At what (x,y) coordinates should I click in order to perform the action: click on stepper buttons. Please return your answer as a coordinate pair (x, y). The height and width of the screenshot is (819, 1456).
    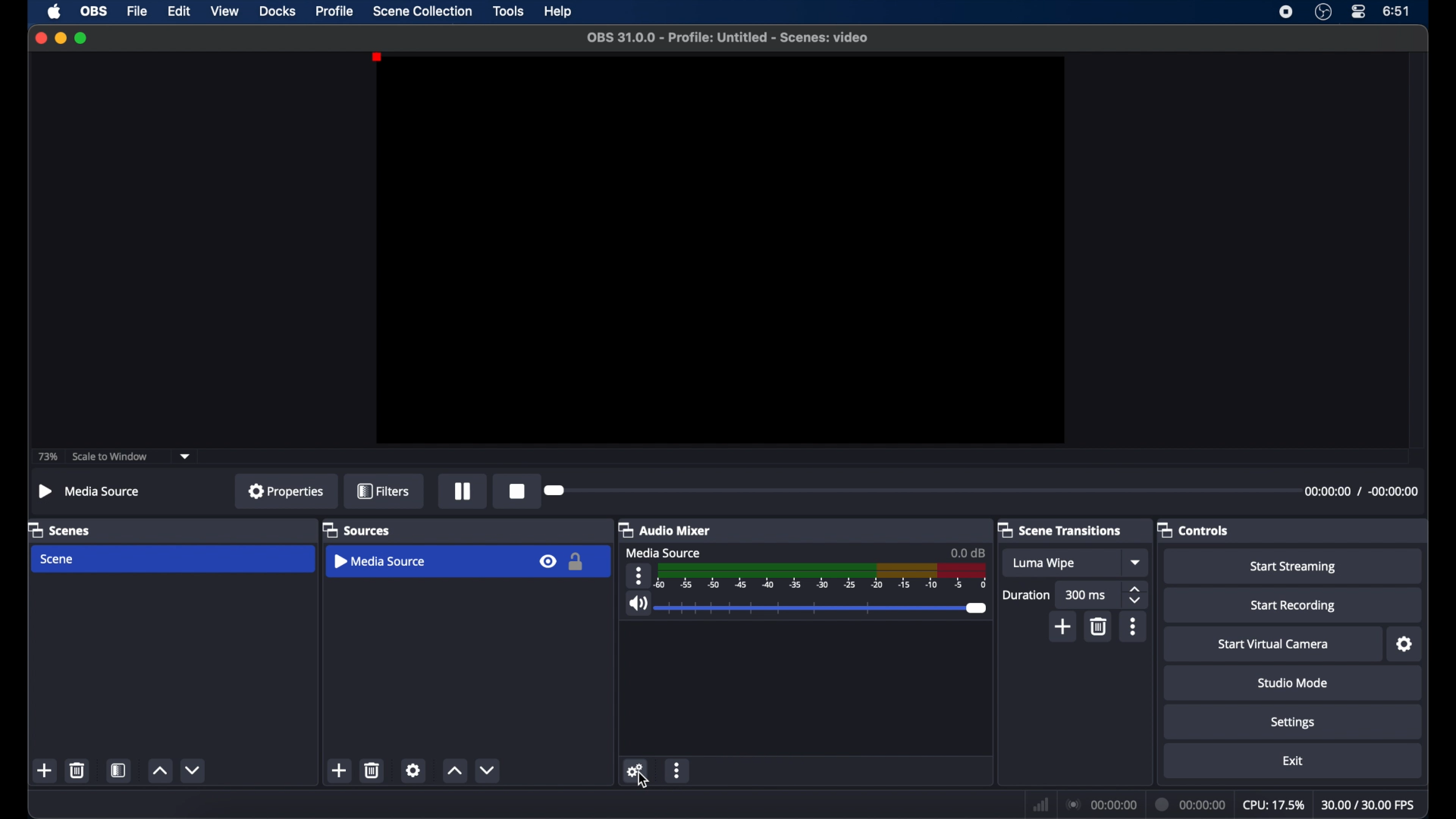
    Looking at the image, I should click on (1136, 595).